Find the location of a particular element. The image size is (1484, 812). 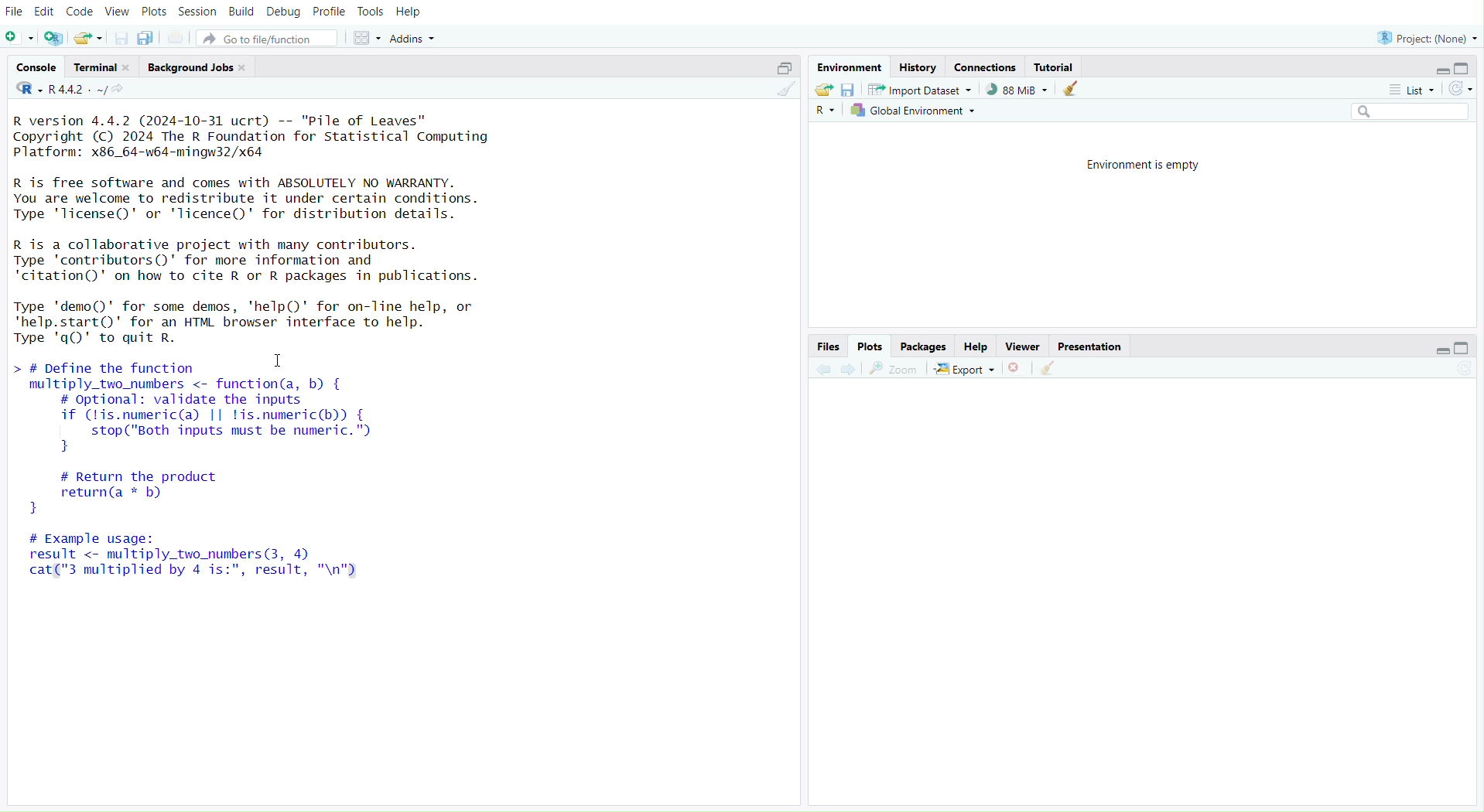

Maximize is located at coordinates (1465, 68).